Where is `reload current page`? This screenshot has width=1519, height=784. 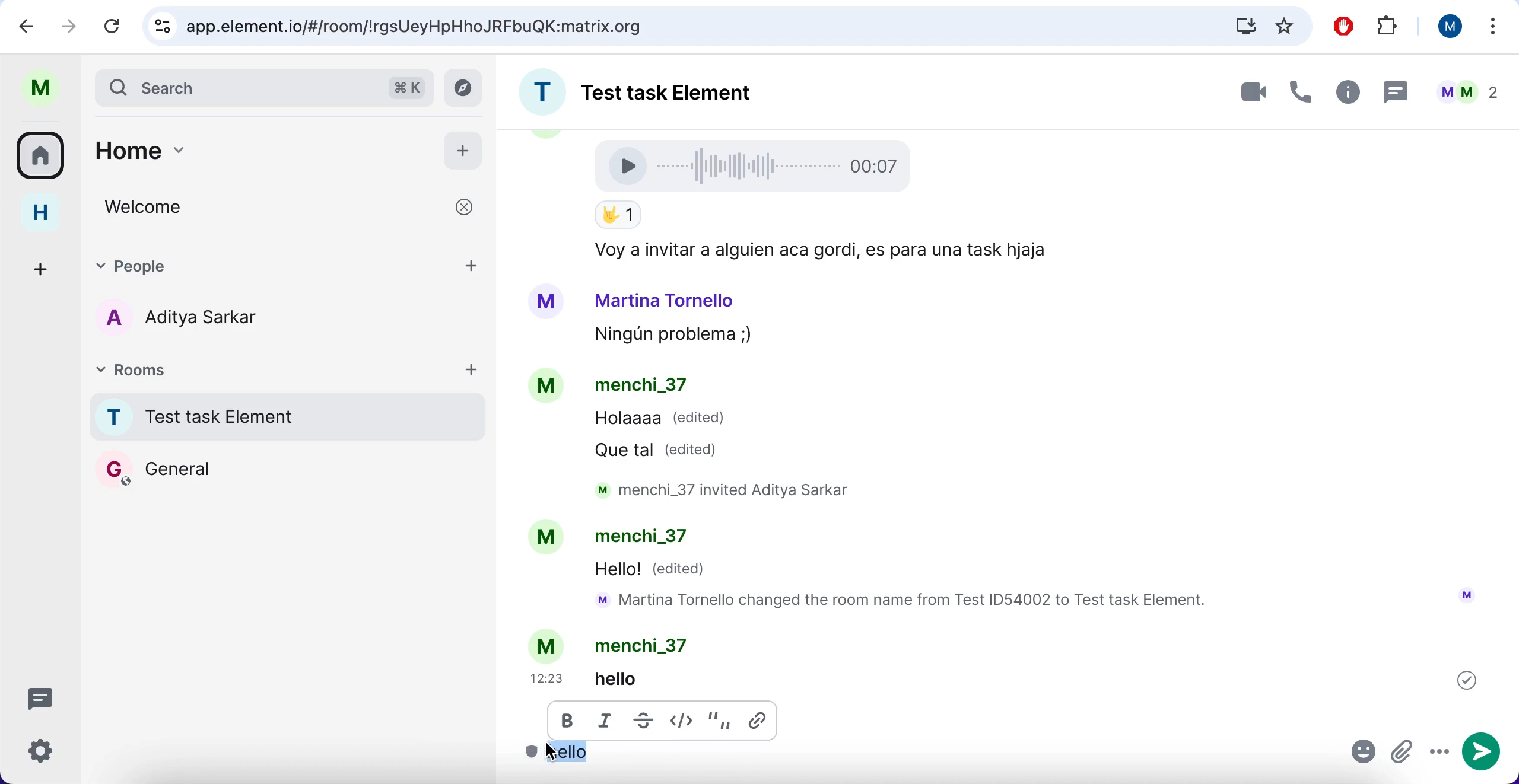
reload current page is located at coordinates (112, 26).